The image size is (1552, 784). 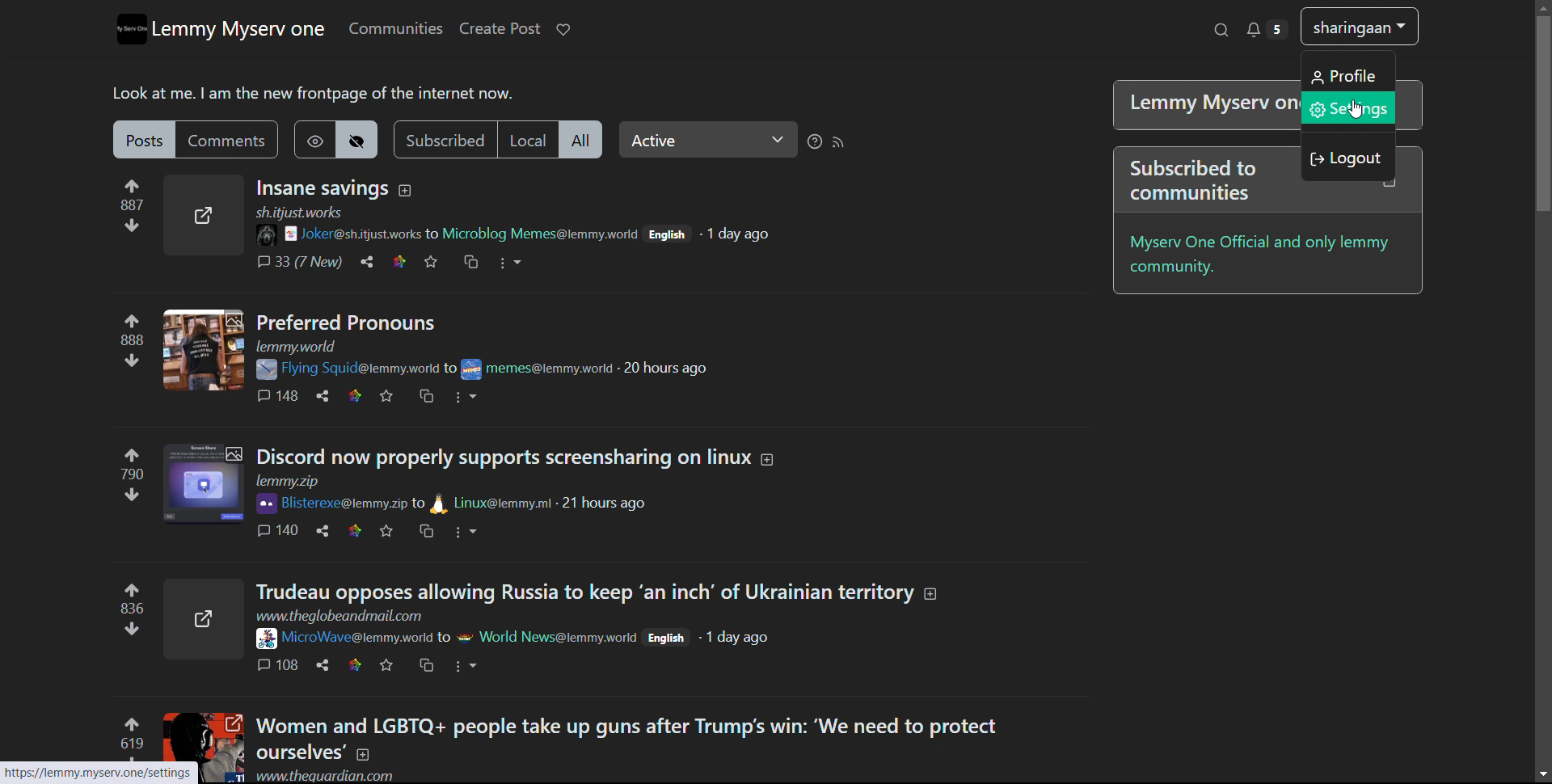 I want to click on favorites, so click(x=431, y=262).